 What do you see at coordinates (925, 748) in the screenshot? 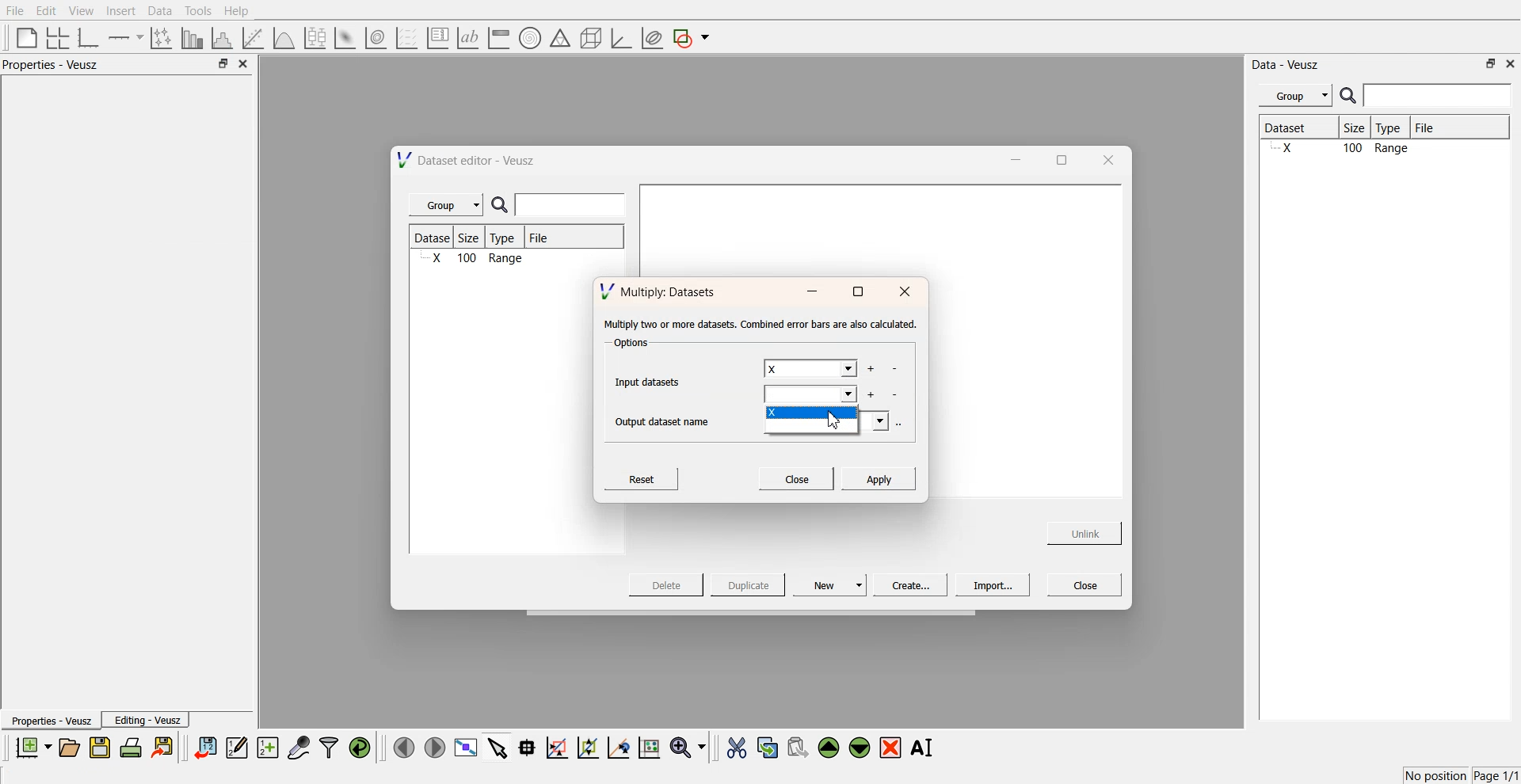
I see `Rename the selected widgets` at bounding box center [925, 748].